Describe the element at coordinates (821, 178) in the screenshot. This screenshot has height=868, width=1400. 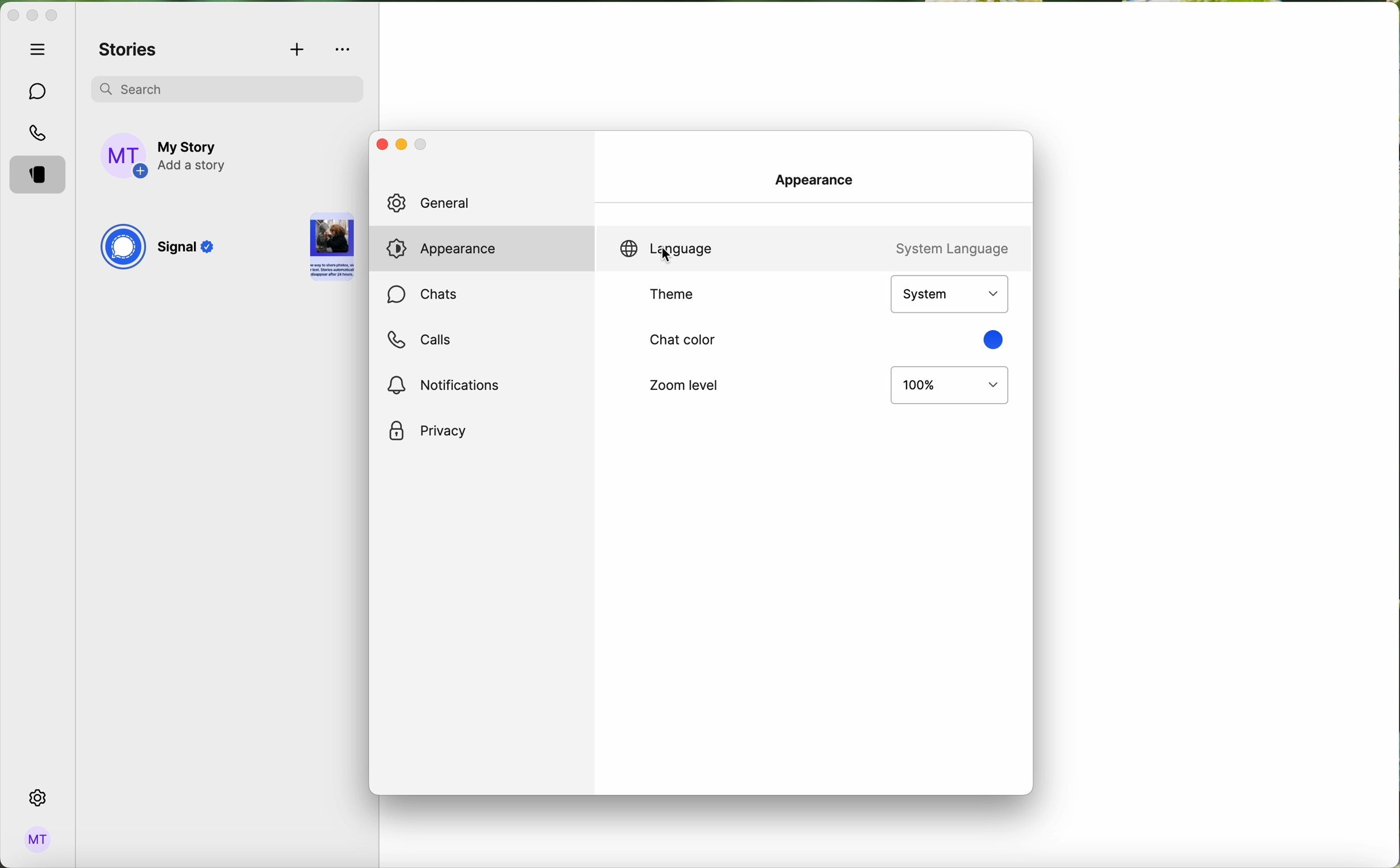
I see `appearance` at that location.